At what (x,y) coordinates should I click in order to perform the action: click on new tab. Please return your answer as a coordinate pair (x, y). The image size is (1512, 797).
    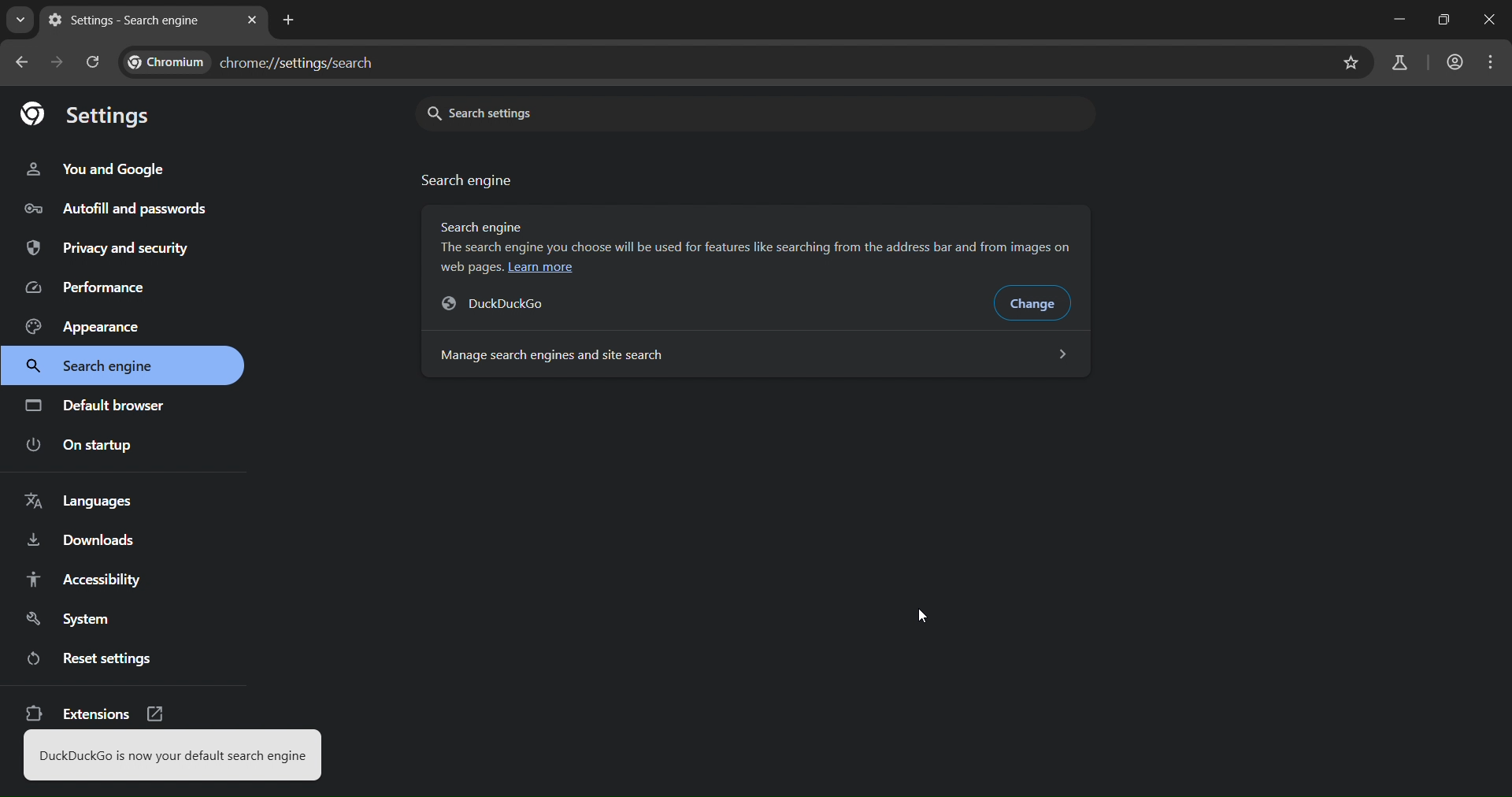
    Looking at the image, I should click on (288, 20).